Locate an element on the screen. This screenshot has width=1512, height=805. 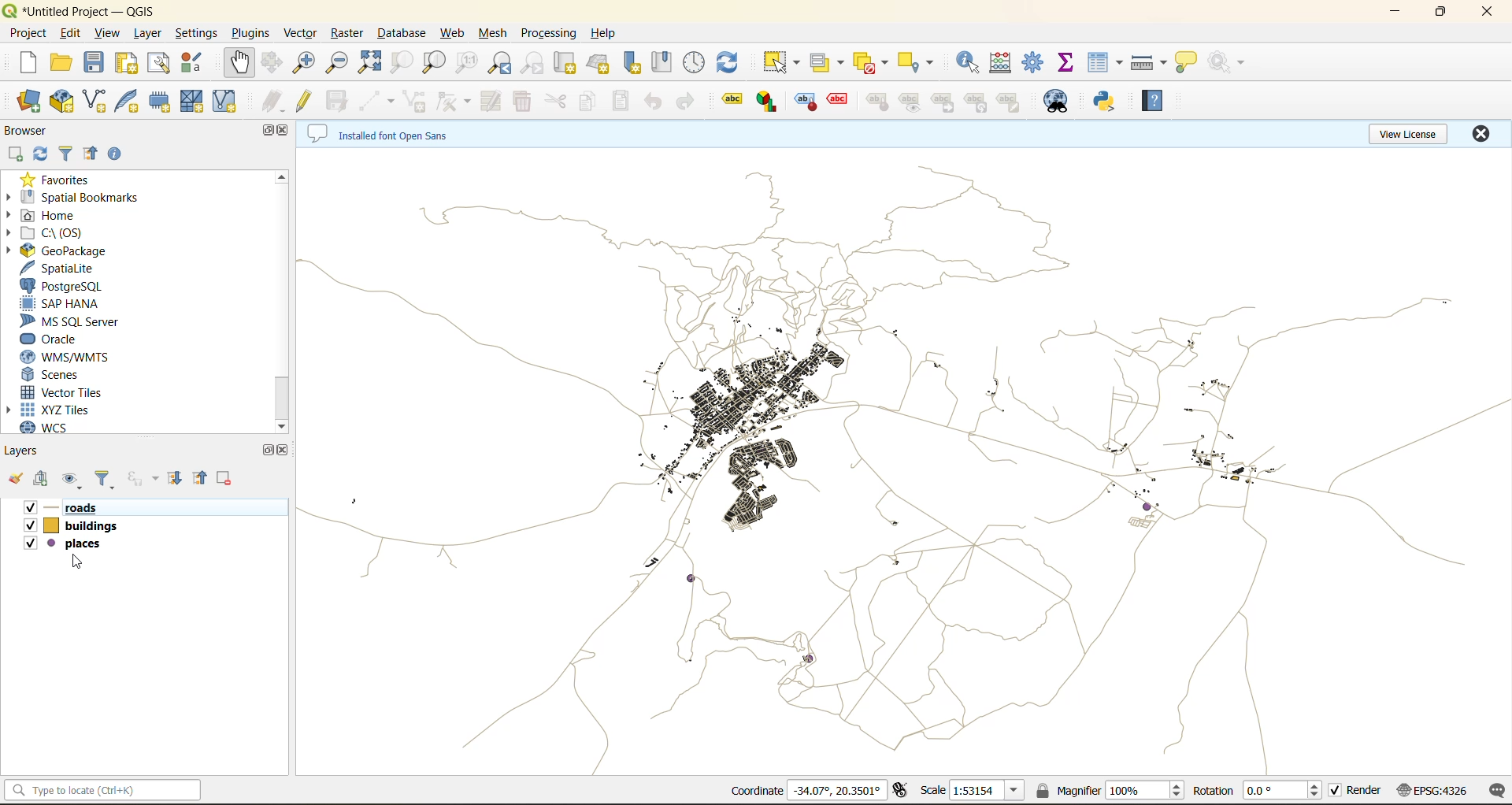
show tips is located at coordinates (1189, 65).